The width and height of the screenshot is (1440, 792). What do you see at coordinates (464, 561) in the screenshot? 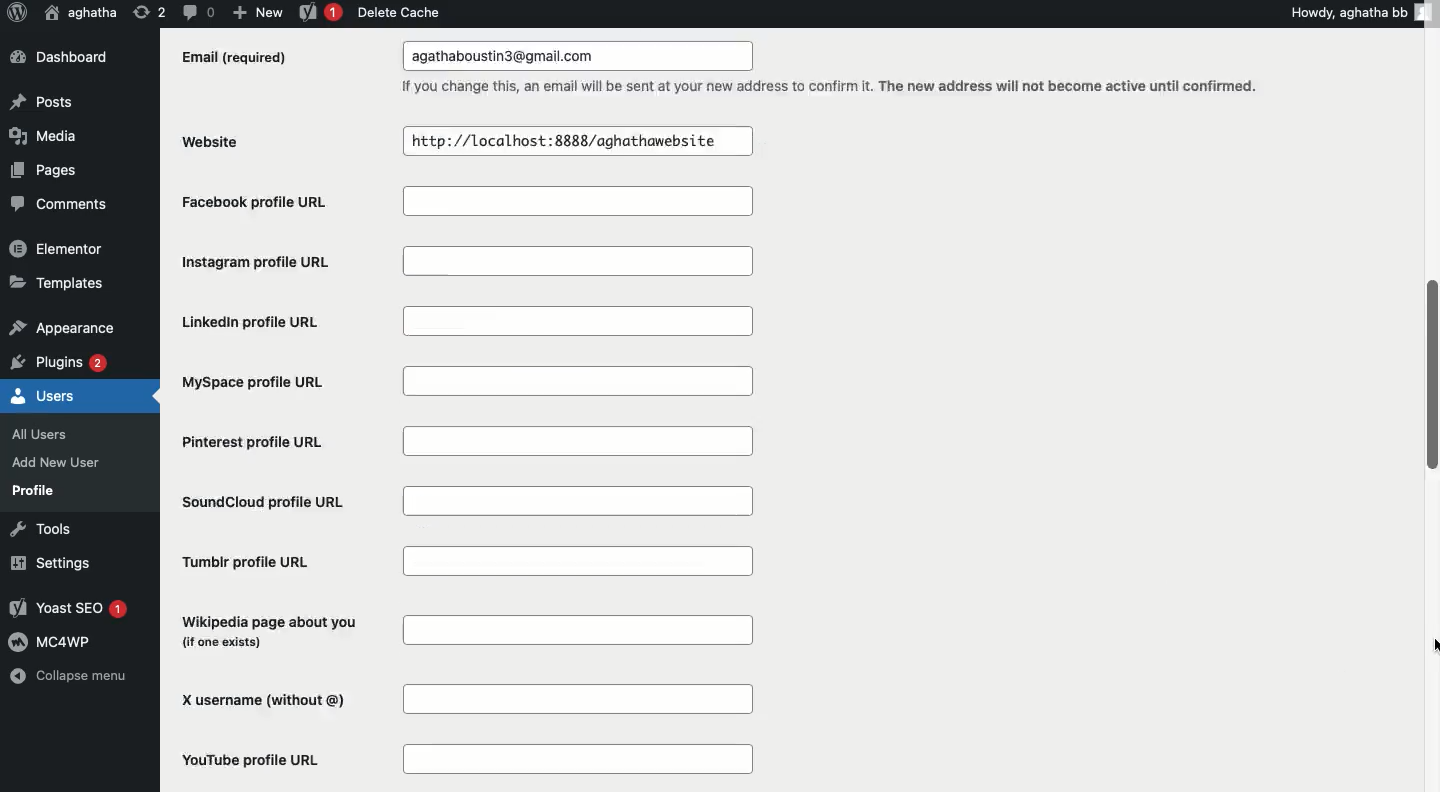
I see `Tumblr profile URL` at bounding box center [464, 561].